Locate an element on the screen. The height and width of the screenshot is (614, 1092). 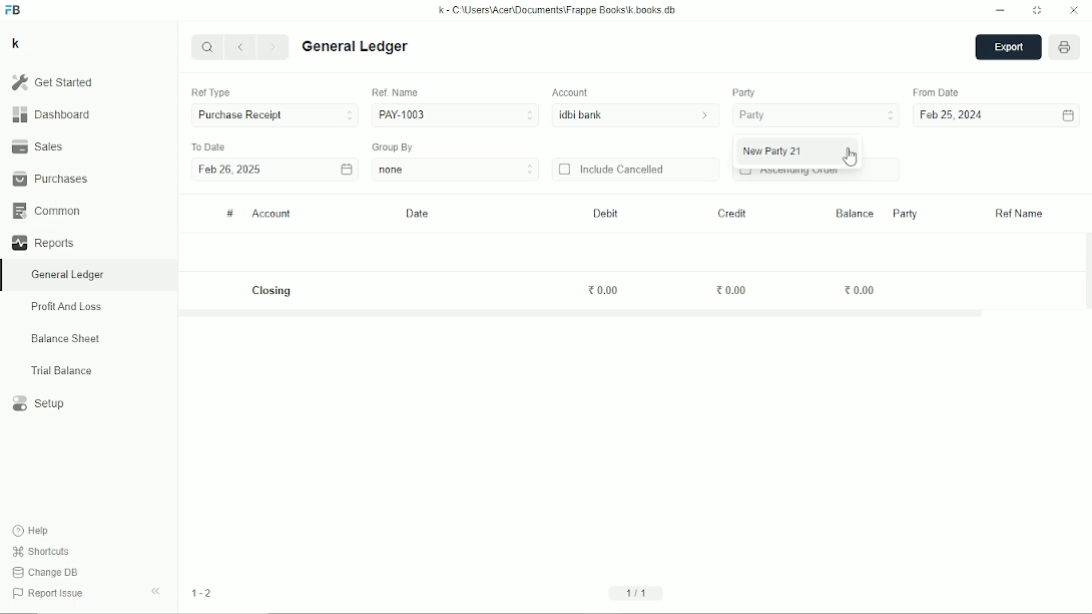
Credit is located at coordinates (731, 214).